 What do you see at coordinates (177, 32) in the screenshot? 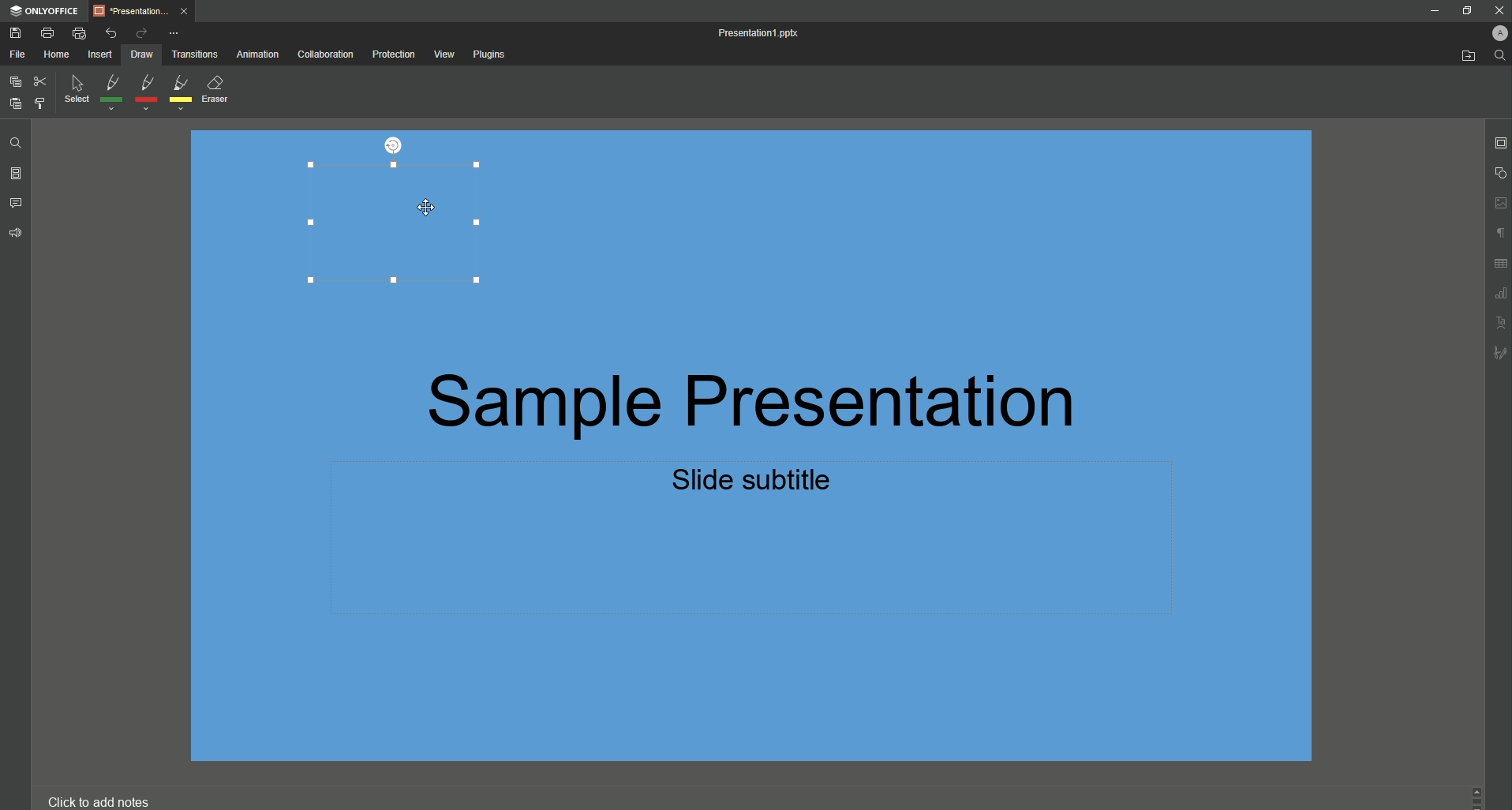
I see `More Options` at bounding box center [177, 32].